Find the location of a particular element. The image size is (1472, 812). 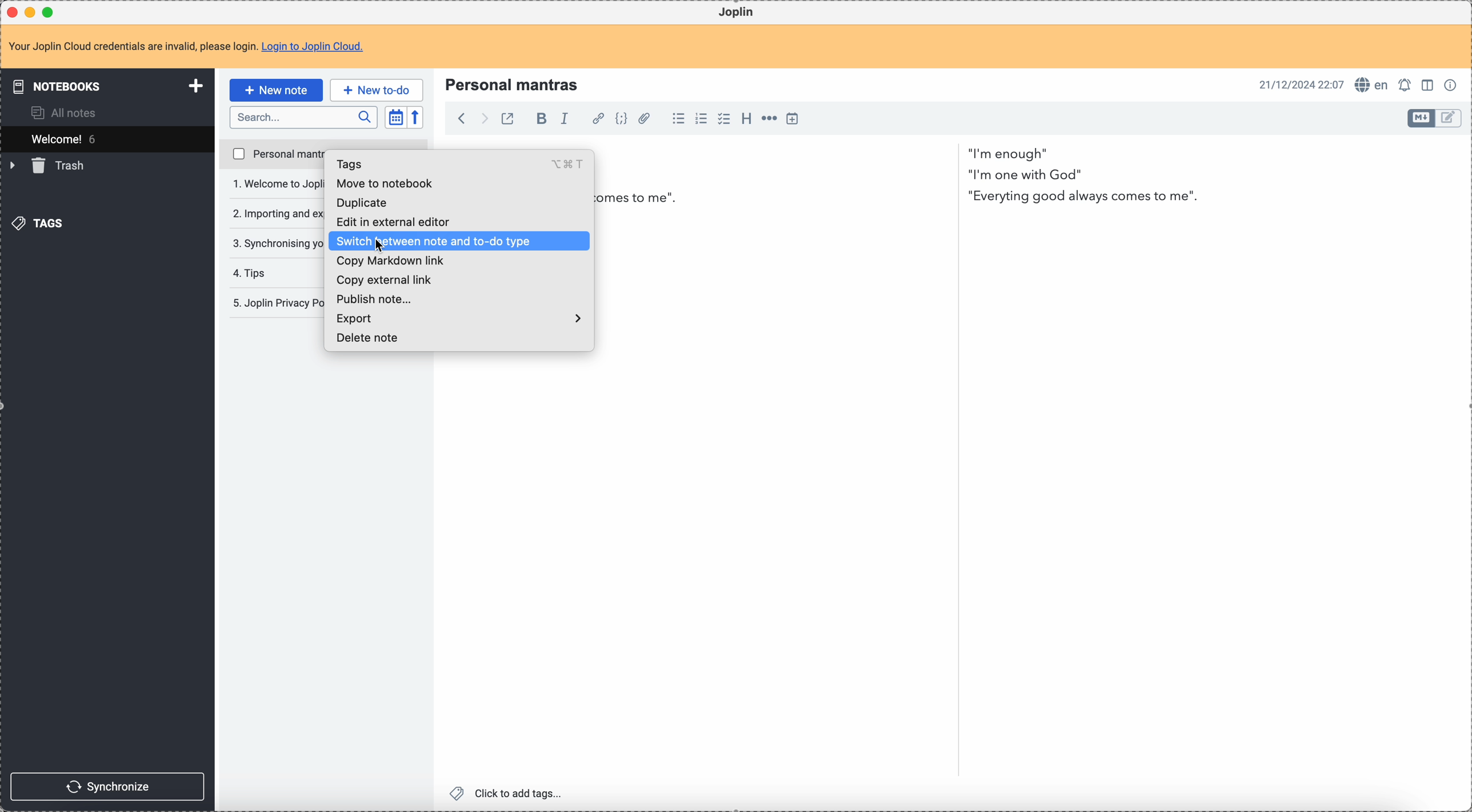

date and hour is located at coordinates (1300, 85).